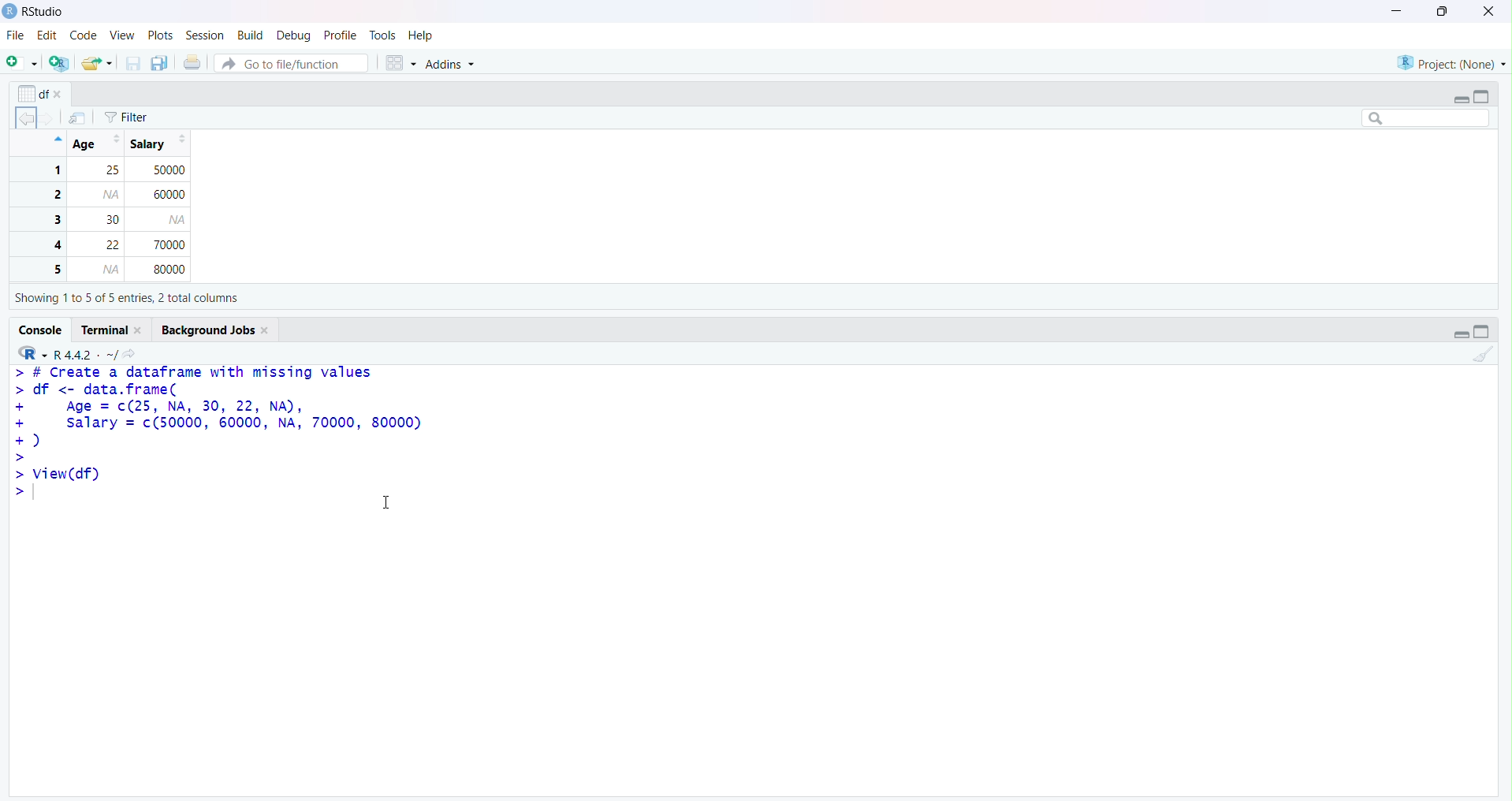 This screenshot has width=1512, height=801. I want to click on R, so click(29, 351).